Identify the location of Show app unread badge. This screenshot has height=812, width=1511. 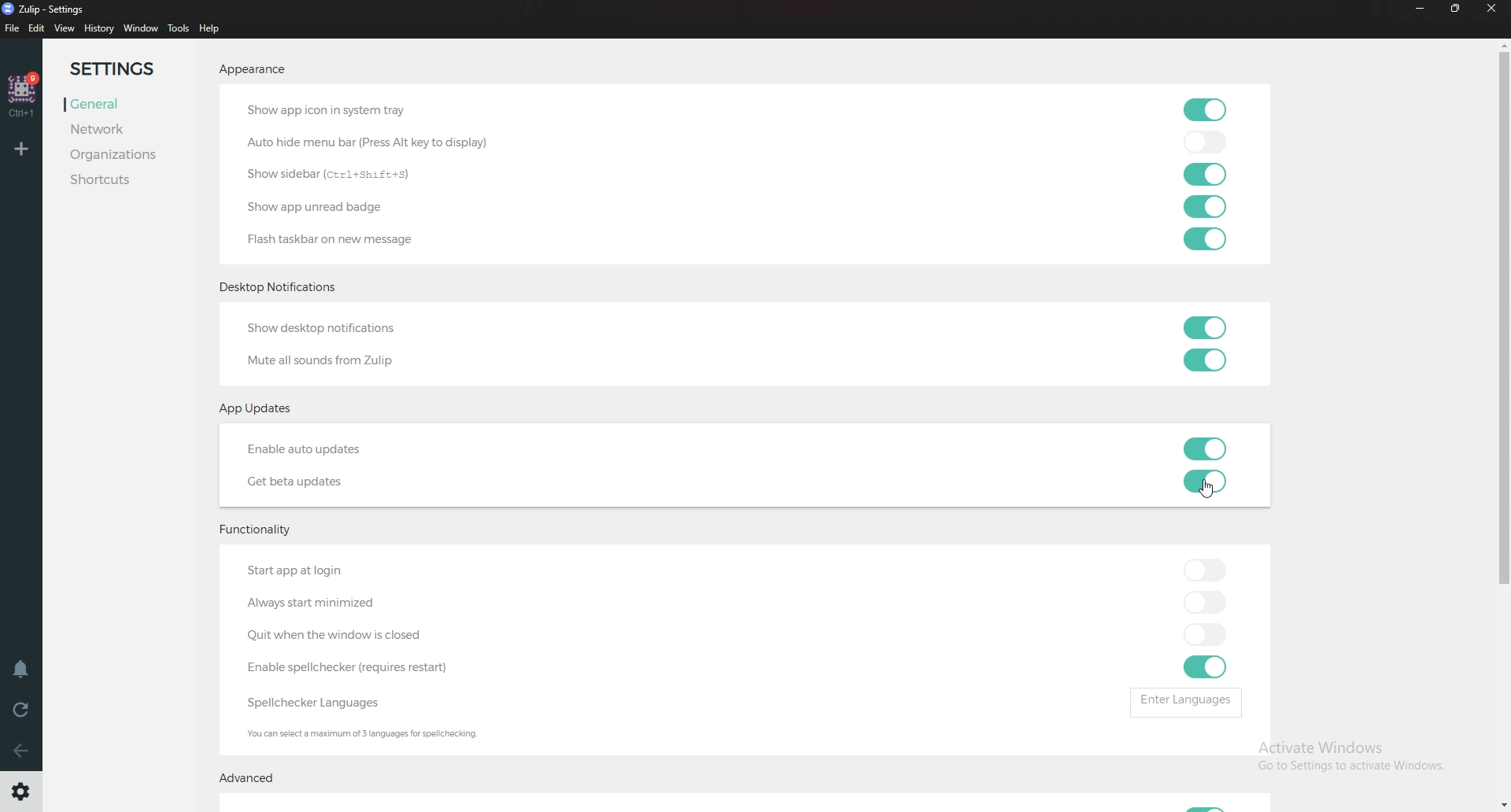
(322, 206).